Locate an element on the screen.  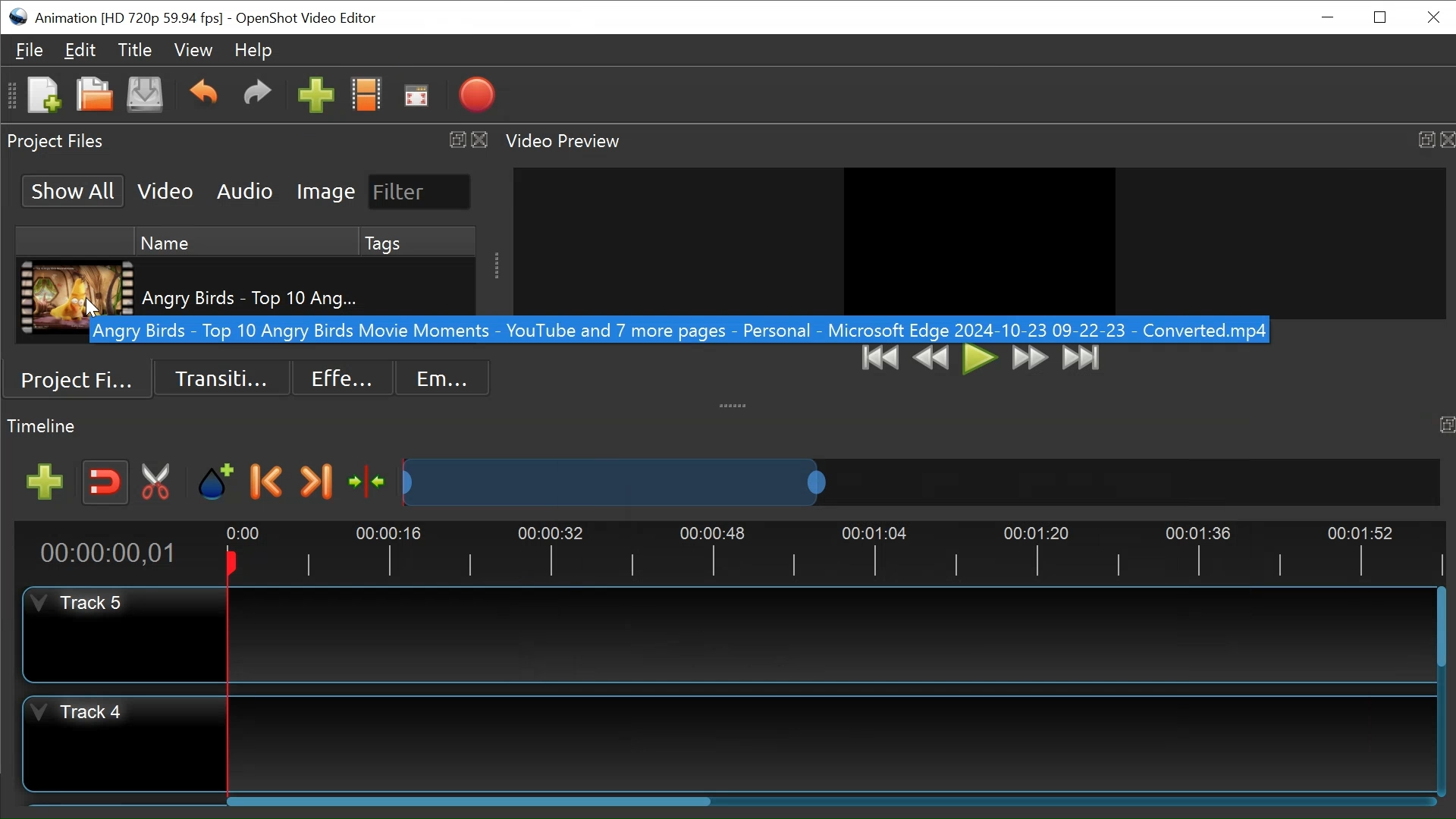
Open Project is located at coordinates (94, 96).